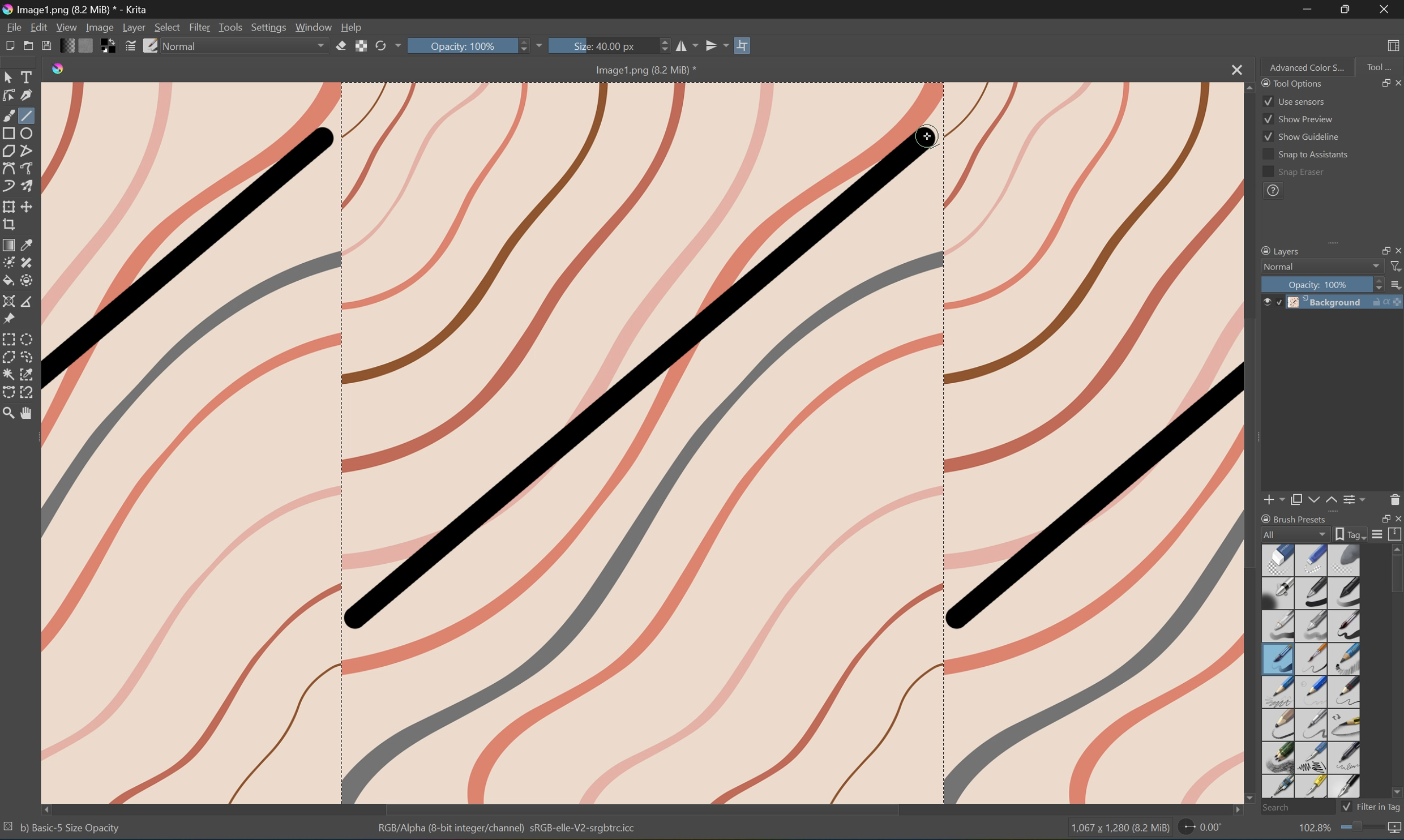 The image size is (1404, 840). Describe the element at coordinates (745, 44) in the screenshot. I see `Wrap Around` at that location.